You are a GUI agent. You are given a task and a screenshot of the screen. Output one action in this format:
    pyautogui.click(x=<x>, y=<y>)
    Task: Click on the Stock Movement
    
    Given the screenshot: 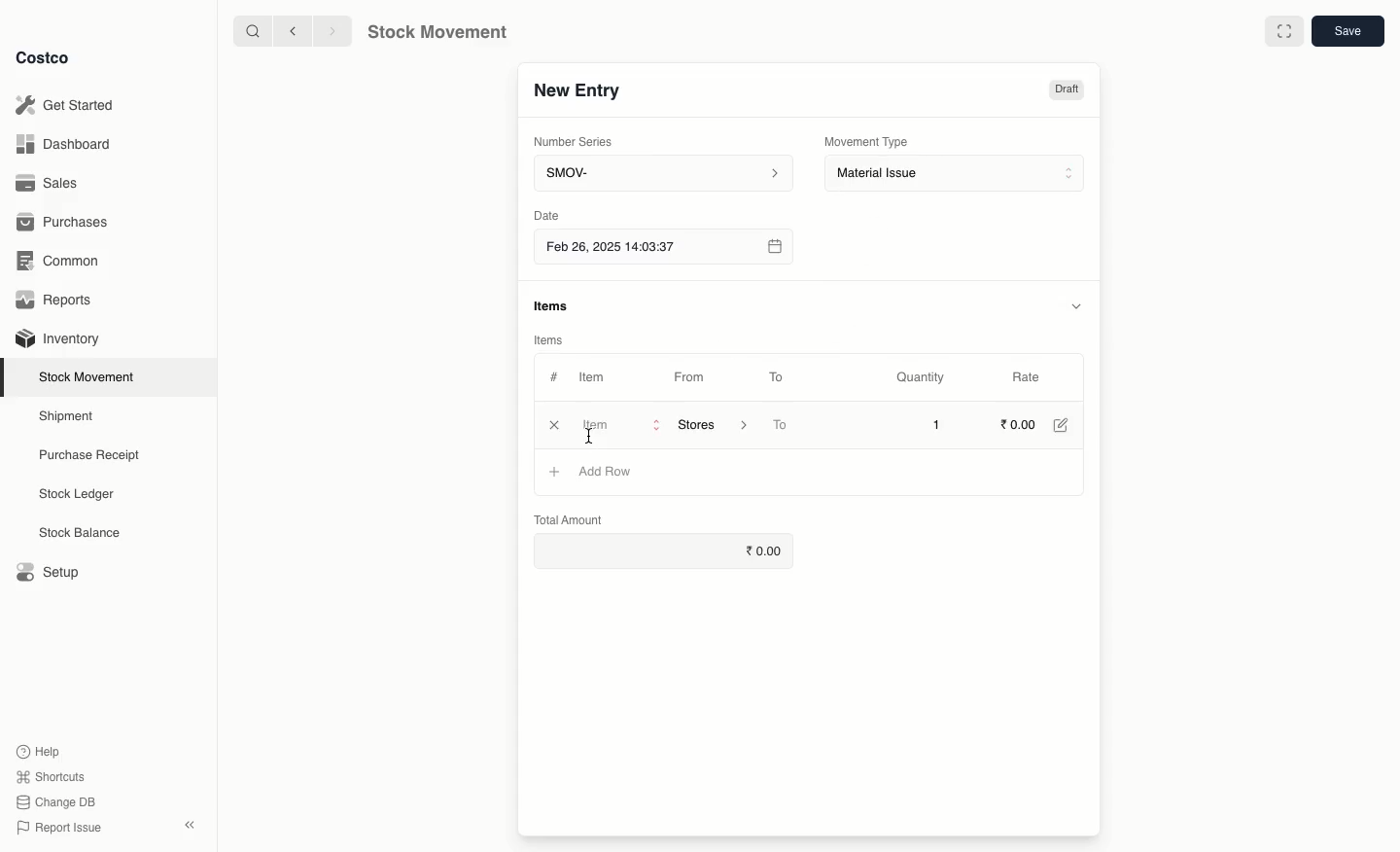 What is the action you would take?
    pyautogui.click(x=90, y=376)
    